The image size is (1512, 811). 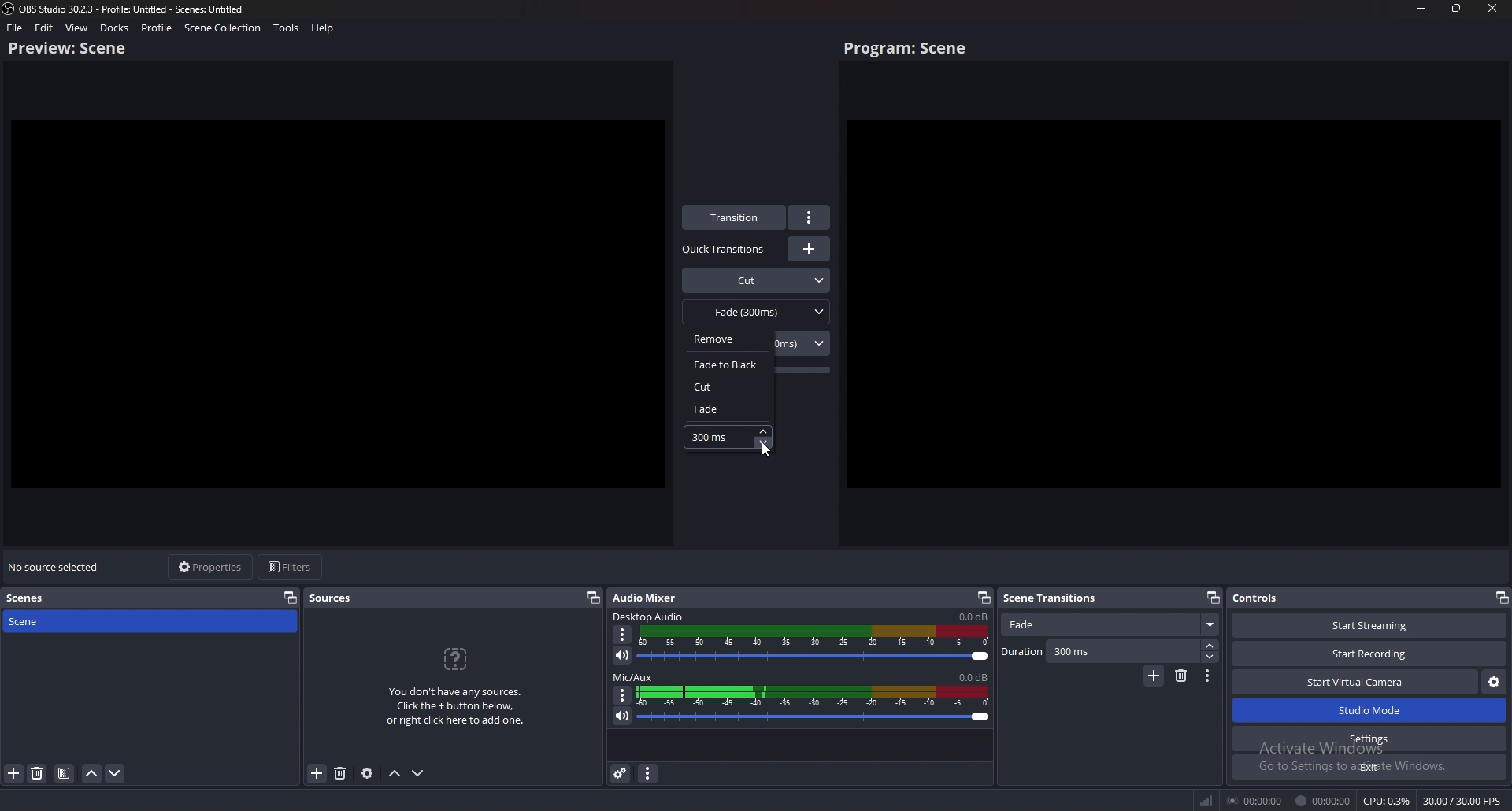 I want to click on Start virtual camera, so click(x=1355, y=682).